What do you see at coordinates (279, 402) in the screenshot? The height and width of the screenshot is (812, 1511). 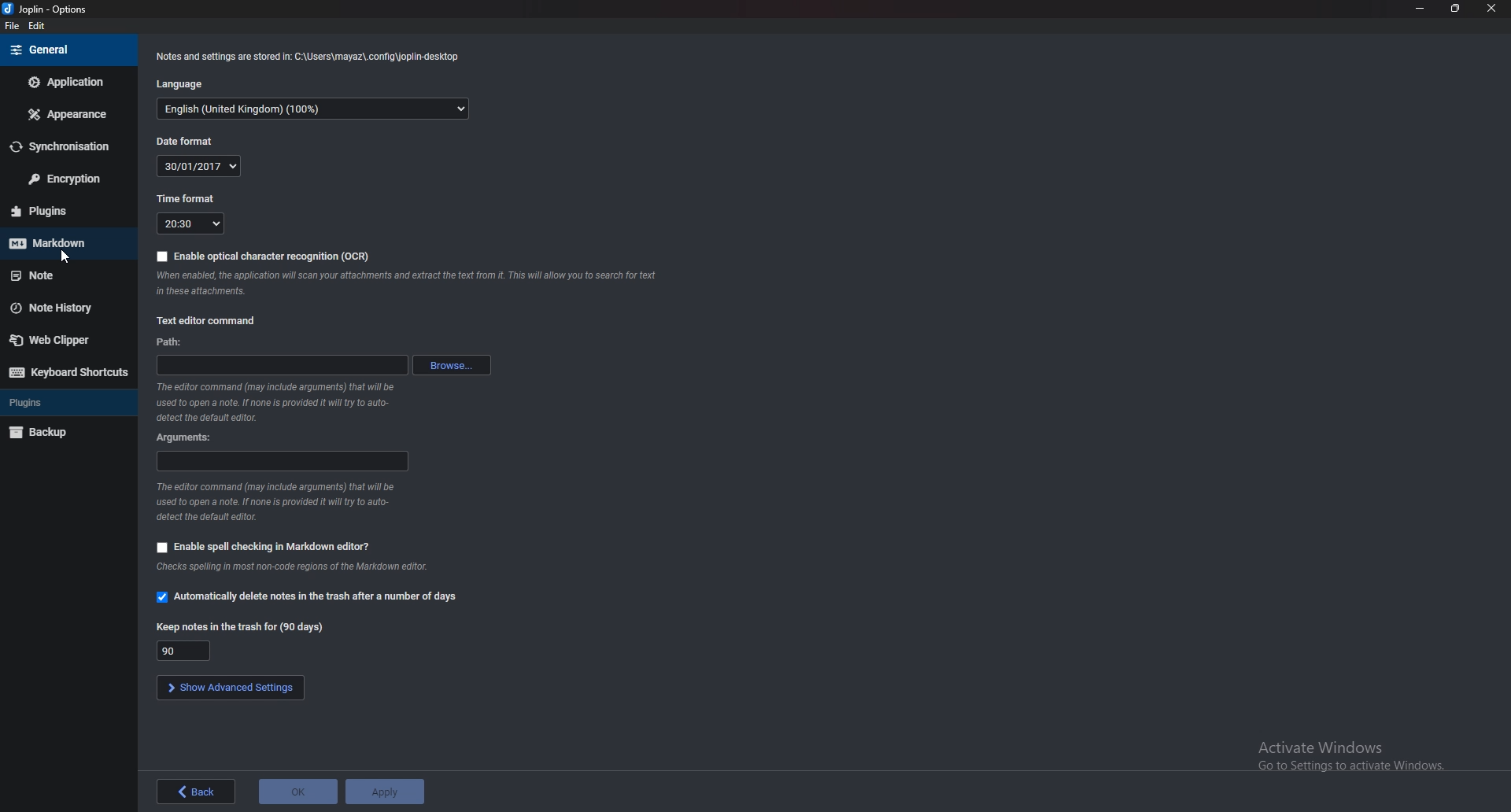 I see `info` at bounding box center [279, 402].